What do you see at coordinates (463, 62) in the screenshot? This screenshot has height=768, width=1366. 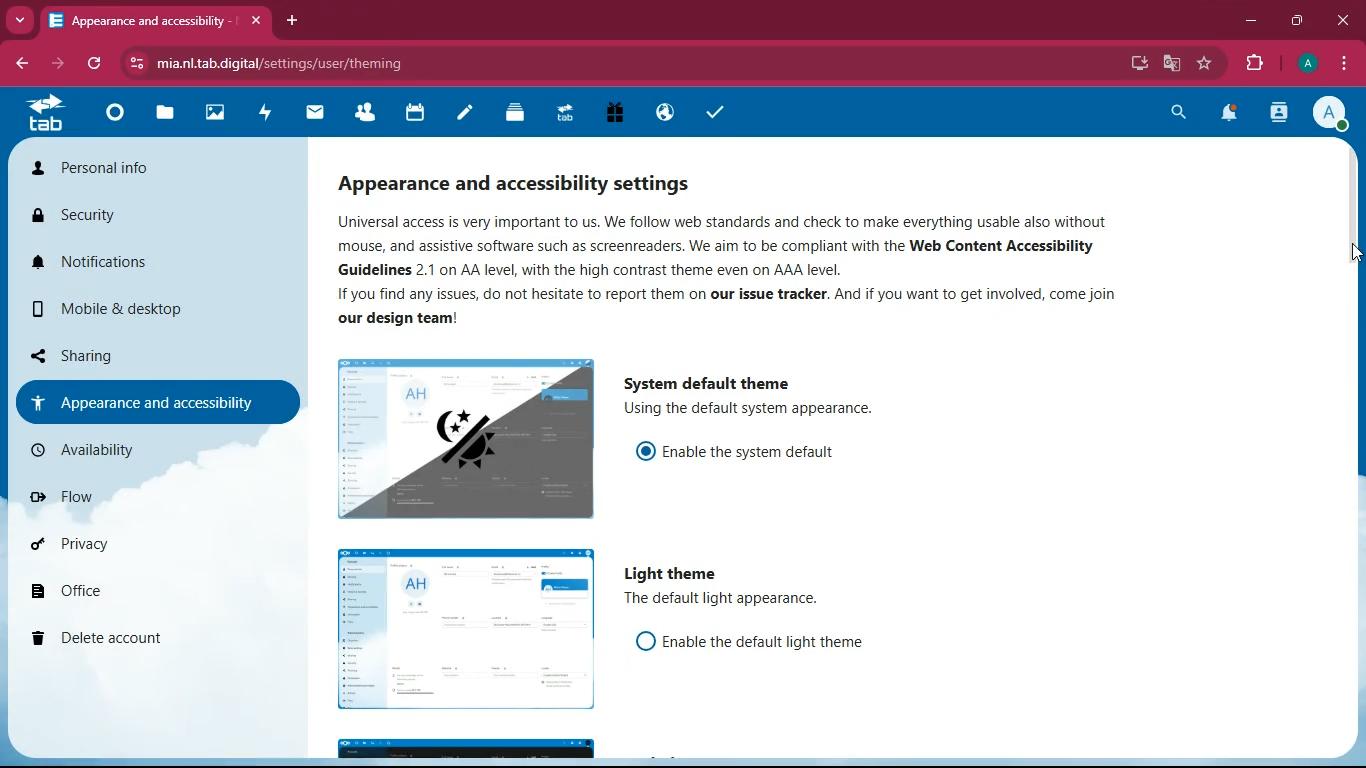 I see `url` at bounding box center [463, 62].